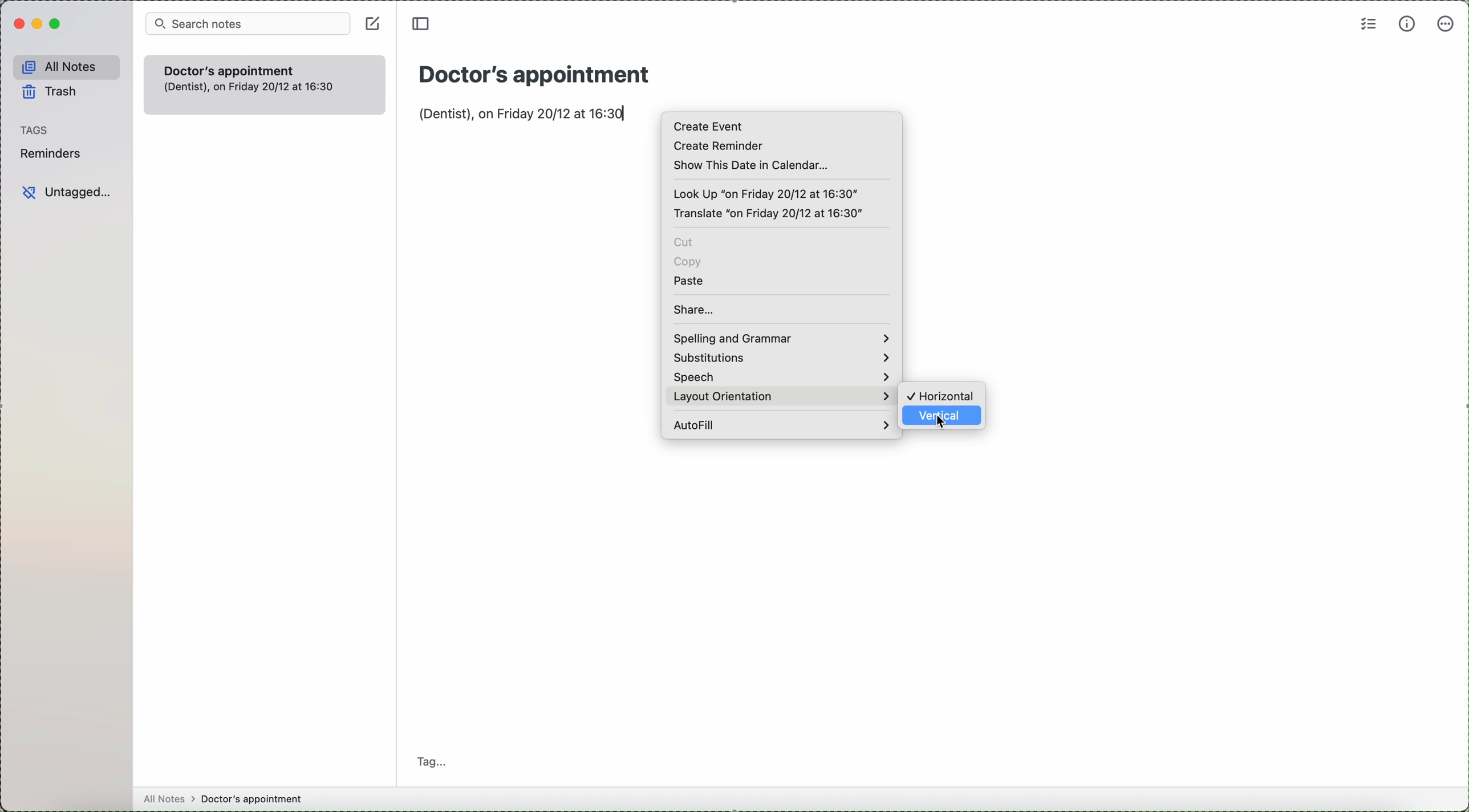 The image size is (1469, 812). Describe the element at coordinates (39, 23) in the screenshot. I see `minimize Simplenote` at that location.